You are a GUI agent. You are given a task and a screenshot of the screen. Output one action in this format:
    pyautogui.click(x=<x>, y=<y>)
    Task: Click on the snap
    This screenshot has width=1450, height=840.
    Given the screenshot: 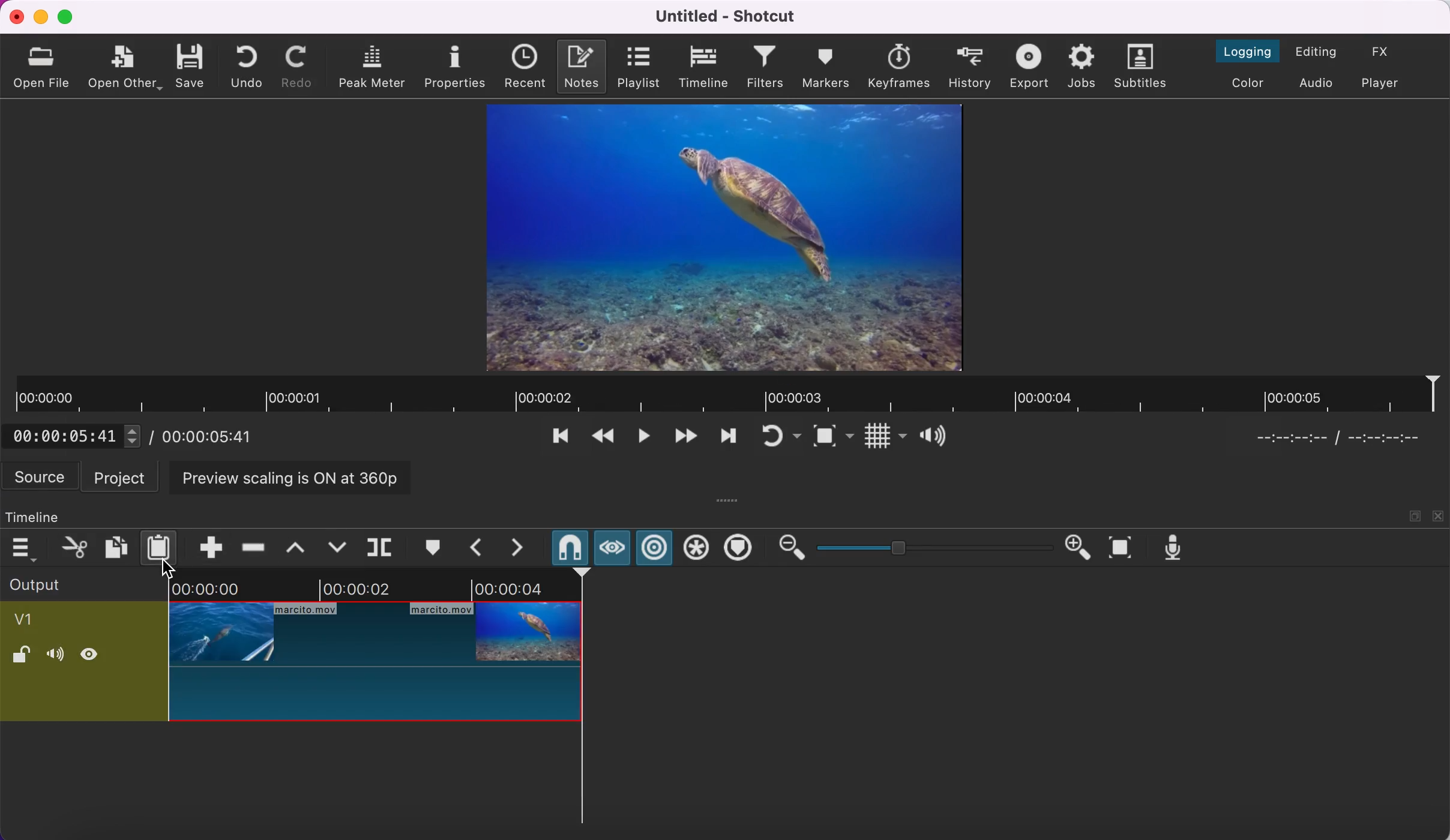 What is the action you would take?
    pyautogui.click(x=568, y=548)
    